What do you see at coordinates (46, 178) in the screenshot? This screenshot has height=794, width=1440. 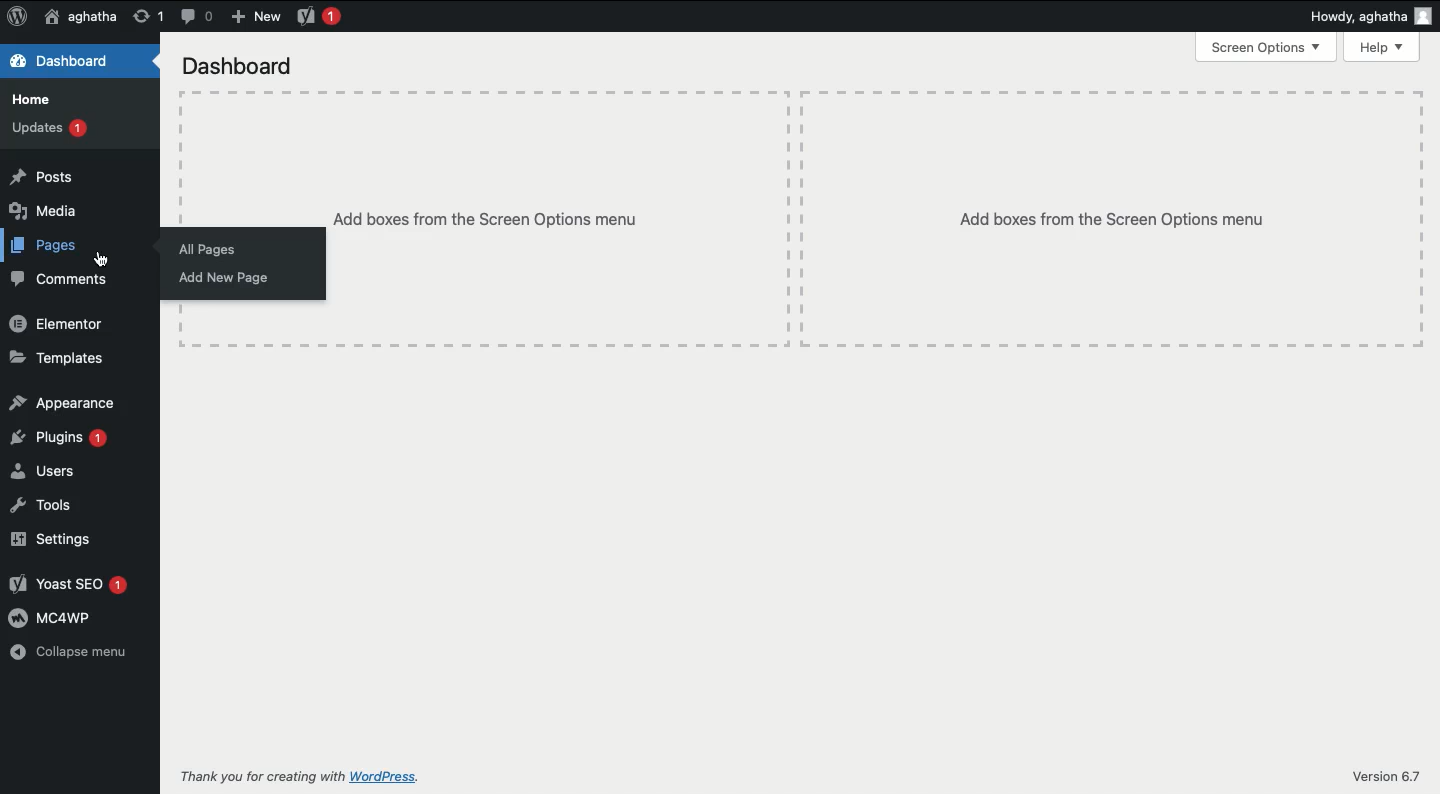 I see `Posts` at bounding box center [46, 178].